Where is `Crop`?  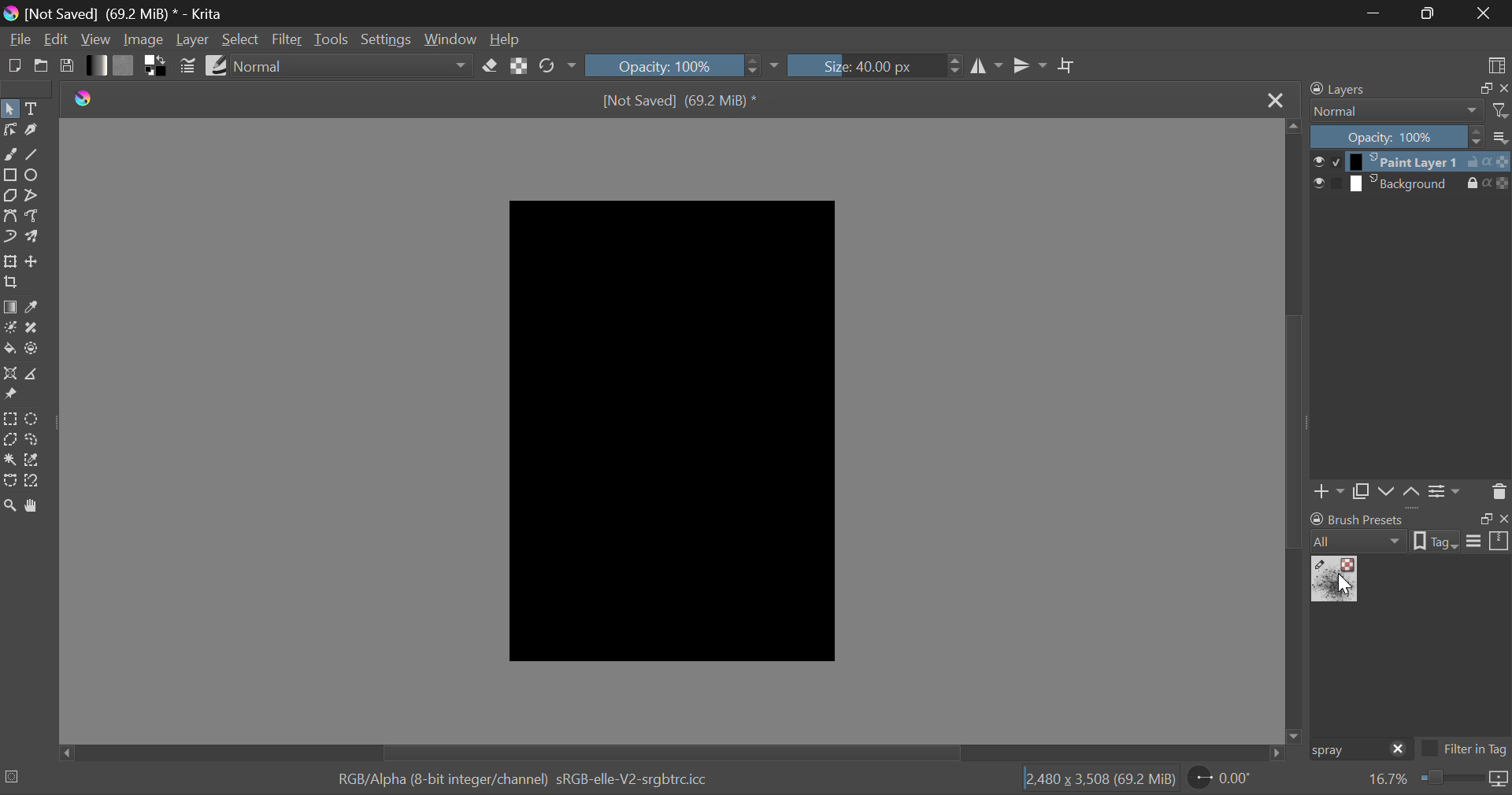 Crop is located at coordinates (1069, 66).